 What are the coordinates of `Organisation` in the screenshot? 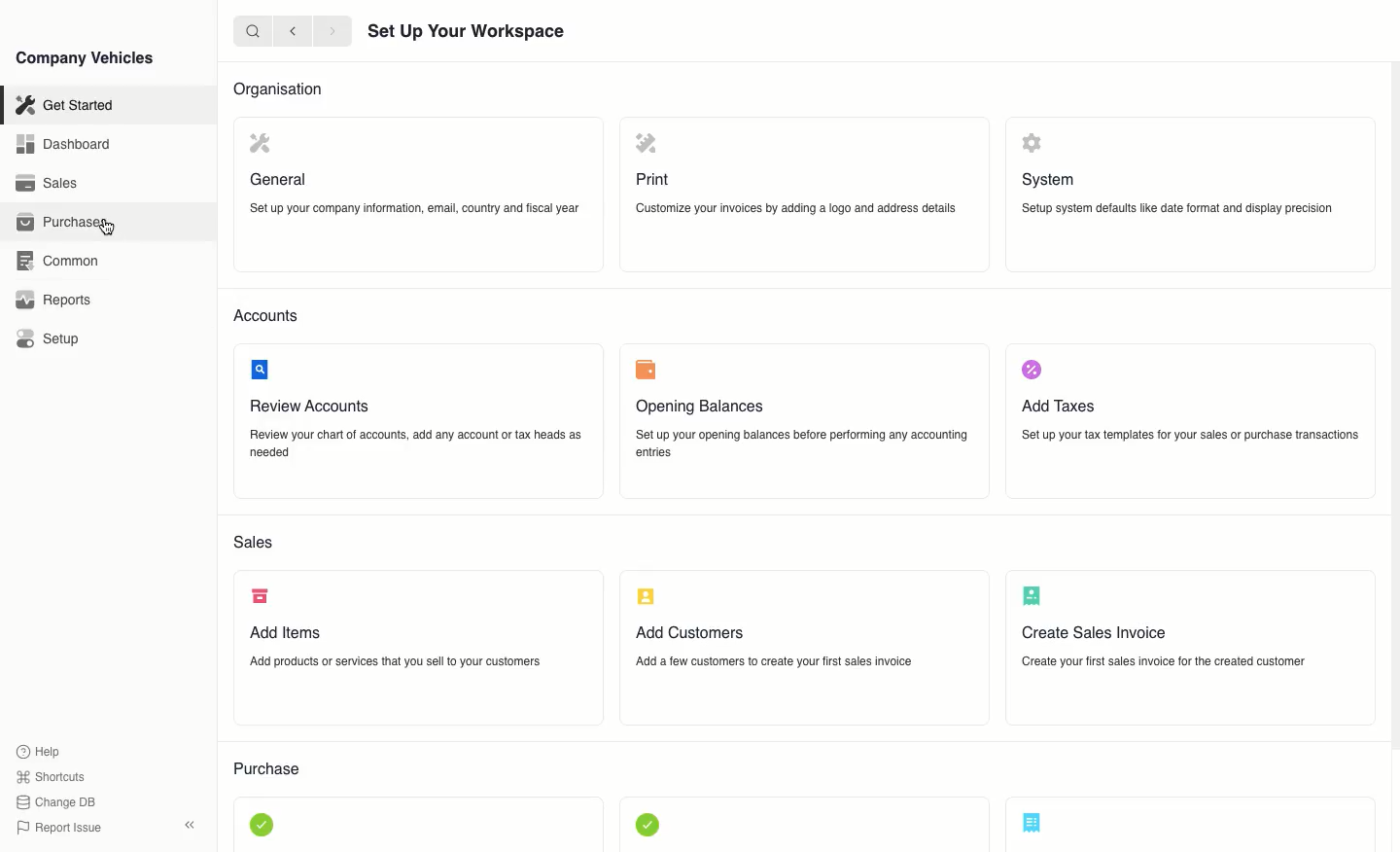 It's located at (277, 89).